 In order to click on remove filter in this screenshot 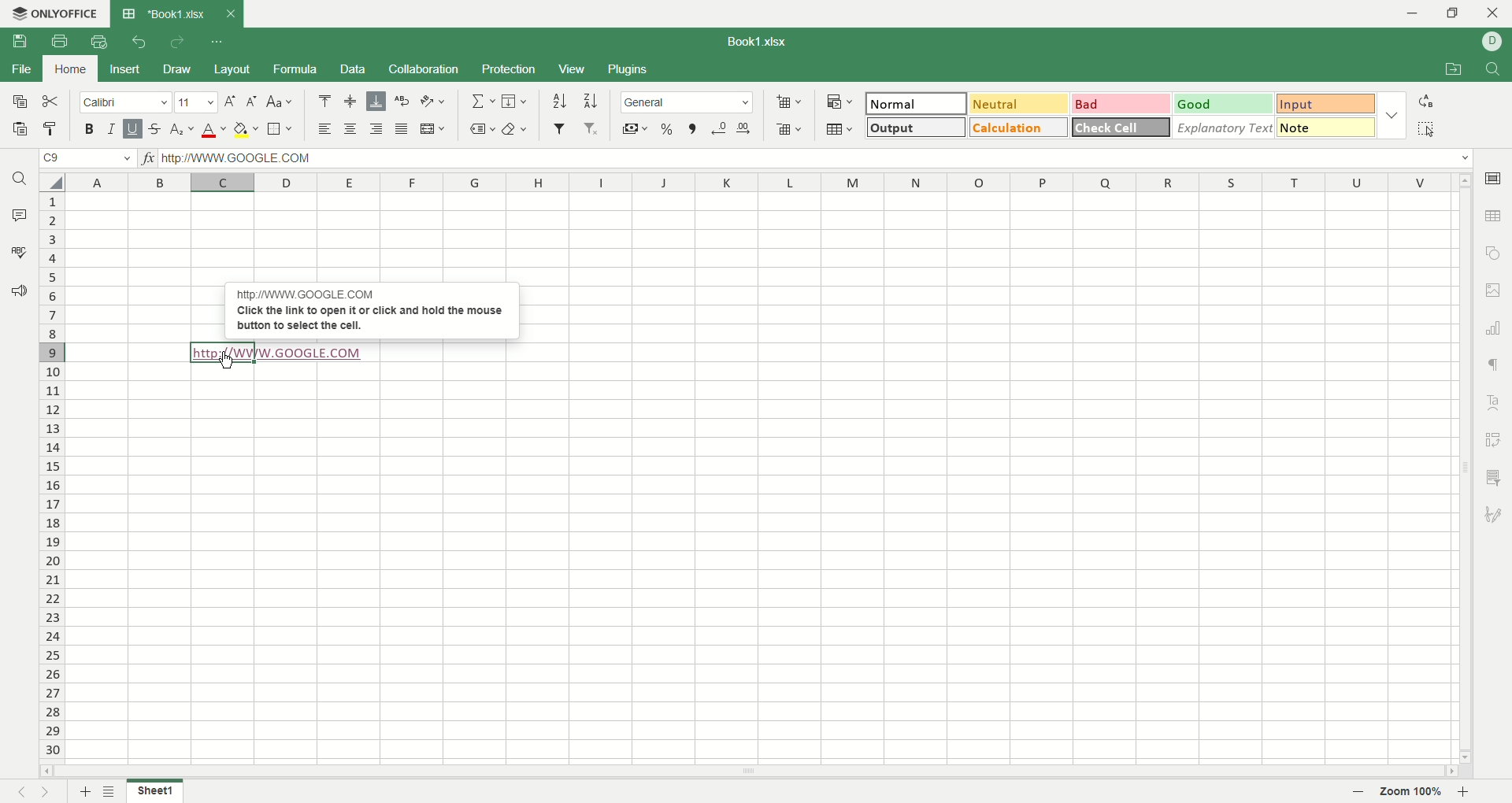, I will do `click(589, 128)`.